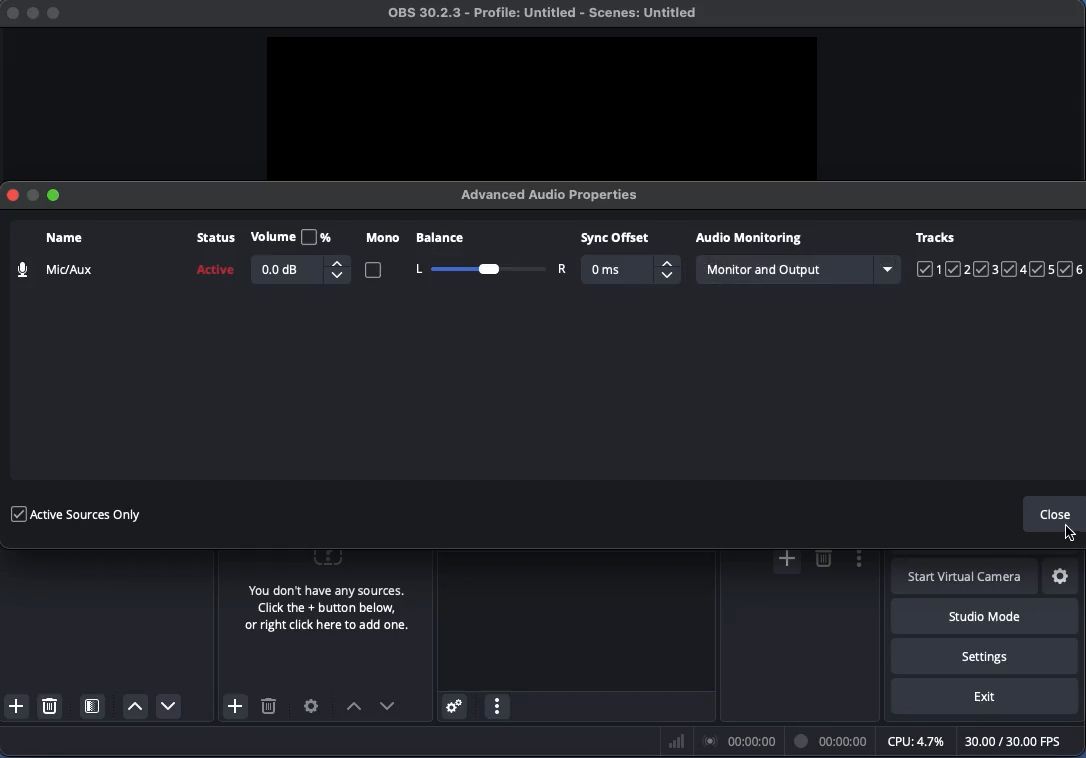  Describe the element at coordinates (94, 708) in the screenshot. I see `Open scene filters` at that location.